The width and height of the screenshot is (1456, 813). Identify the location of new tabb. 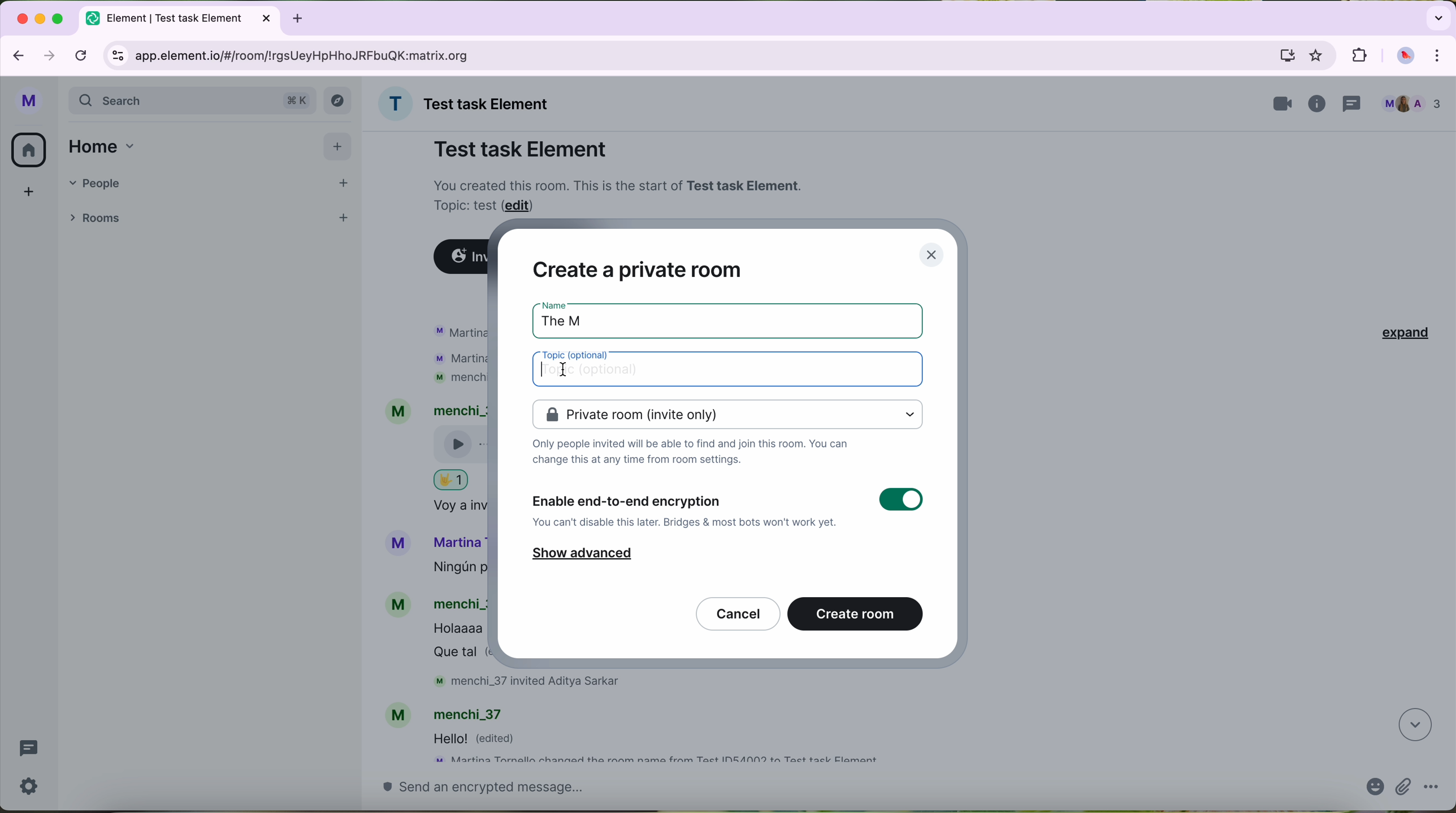
(302, 18).